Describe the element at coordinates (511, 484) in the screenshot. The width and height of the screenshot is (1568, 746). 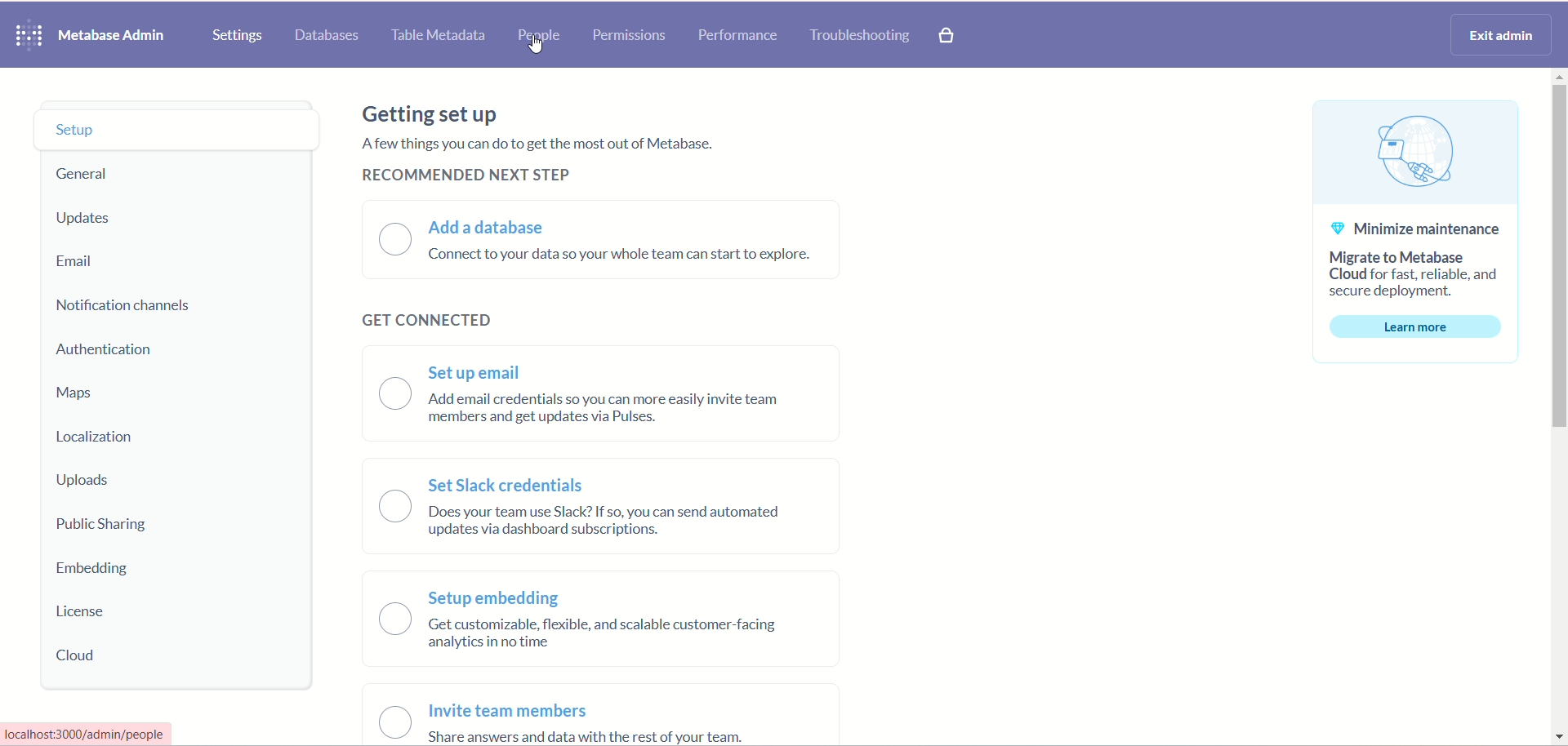
I see `set slack credentials` at that location.